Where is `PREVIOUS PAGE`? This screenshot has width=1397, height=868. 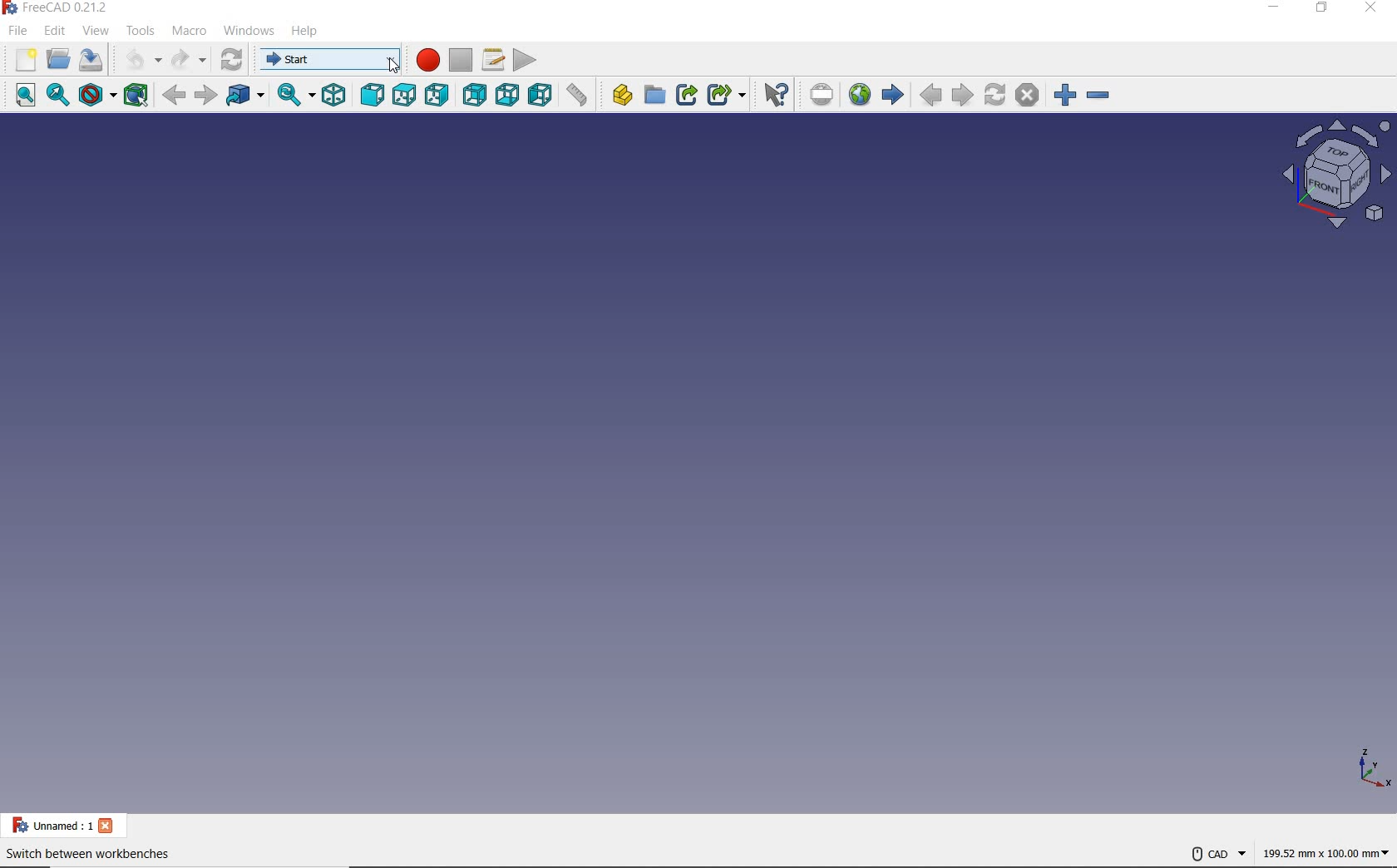 PREVIOUS PAGE is located at coordinates (930, 96).